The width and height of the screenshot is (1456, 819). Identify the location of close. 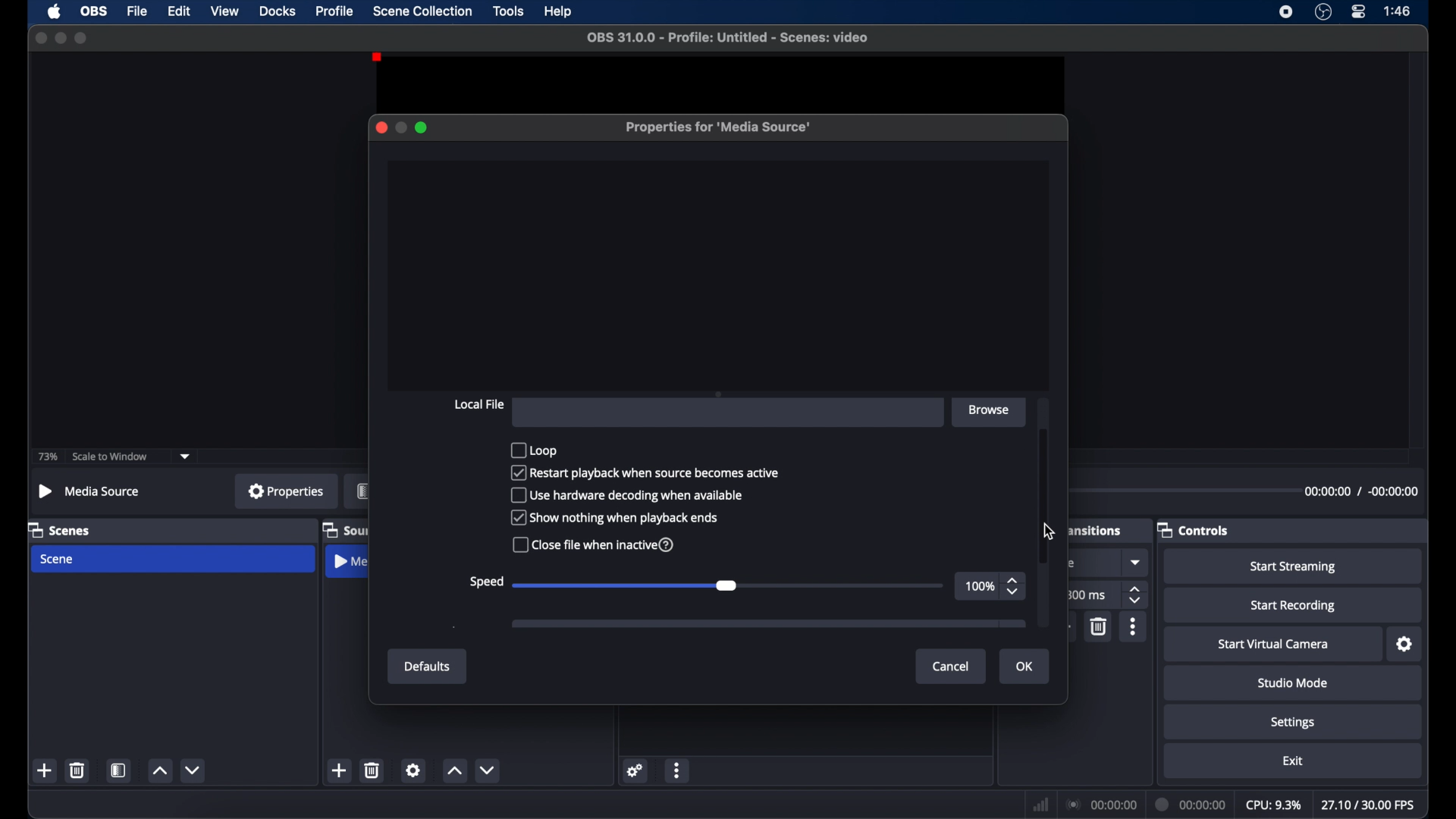
(41, 39).